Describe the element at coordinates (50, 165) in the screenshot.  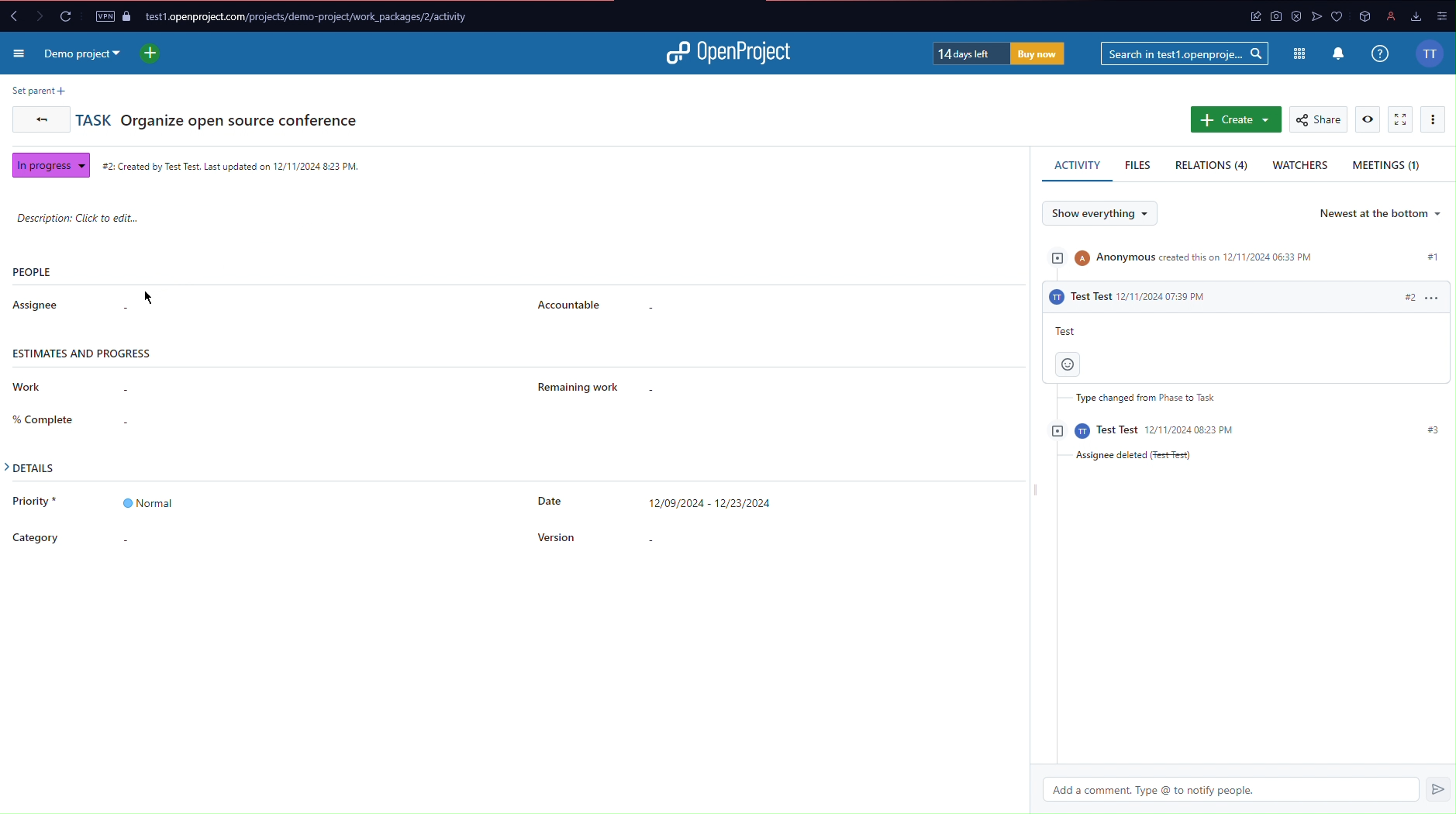
I see `In progress` at that location.